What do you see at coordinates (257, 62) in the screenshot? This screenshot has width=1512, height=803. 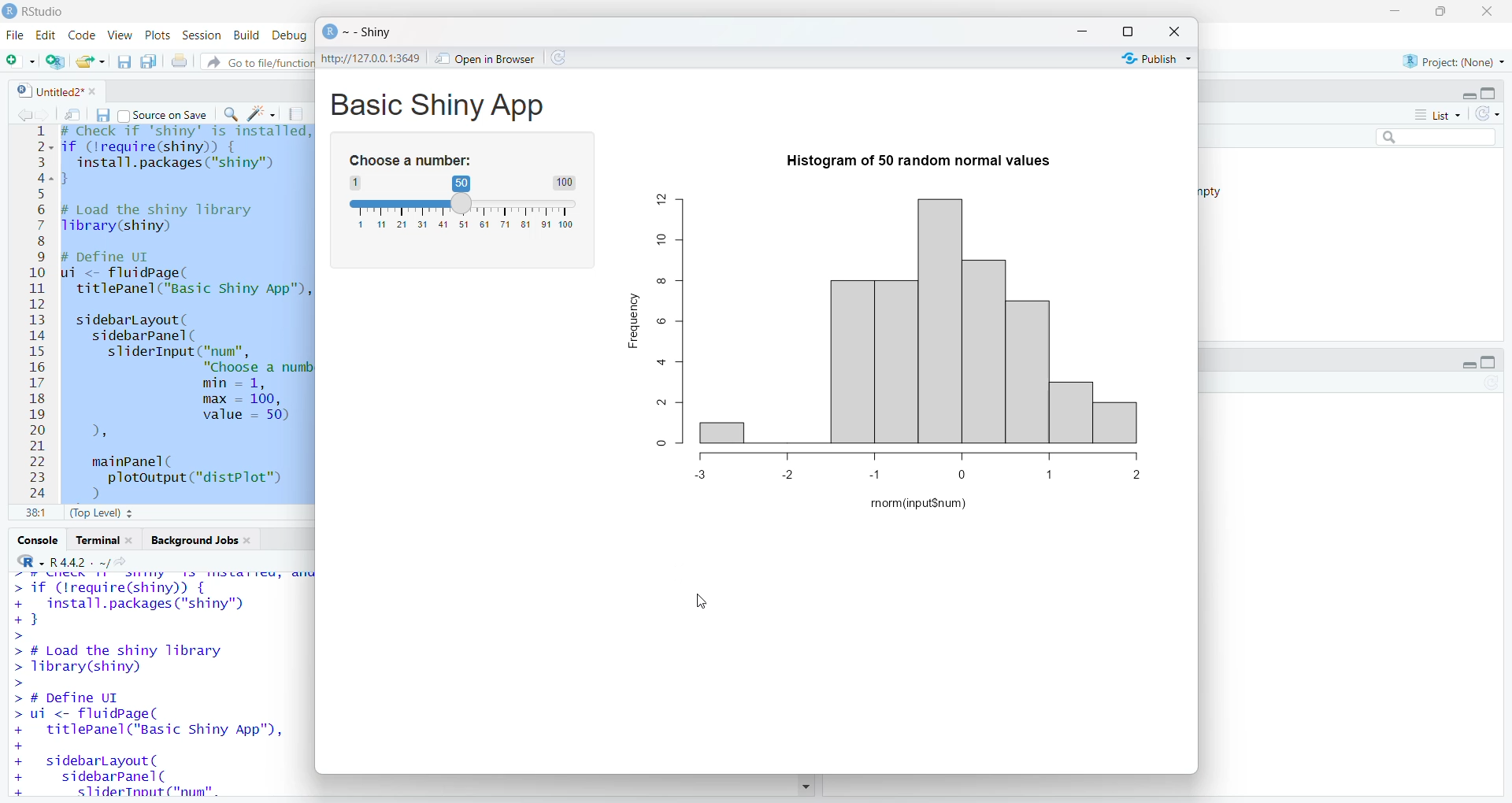 I see `file search` at bounding box center [257, 62].